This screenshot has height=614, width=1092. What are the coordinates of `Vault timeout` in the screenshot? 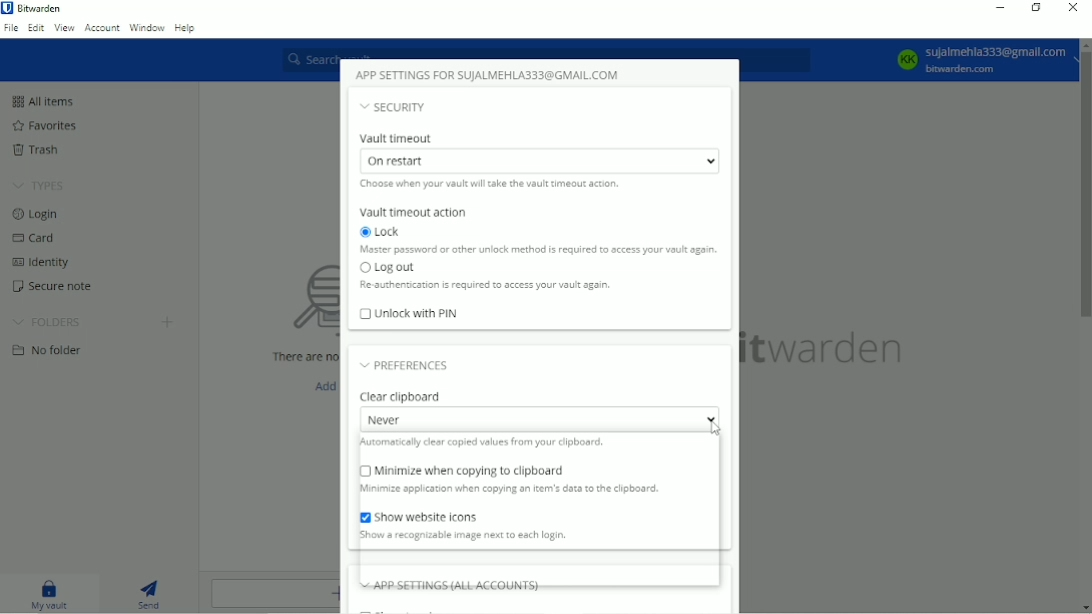 It's located at (538, 152).